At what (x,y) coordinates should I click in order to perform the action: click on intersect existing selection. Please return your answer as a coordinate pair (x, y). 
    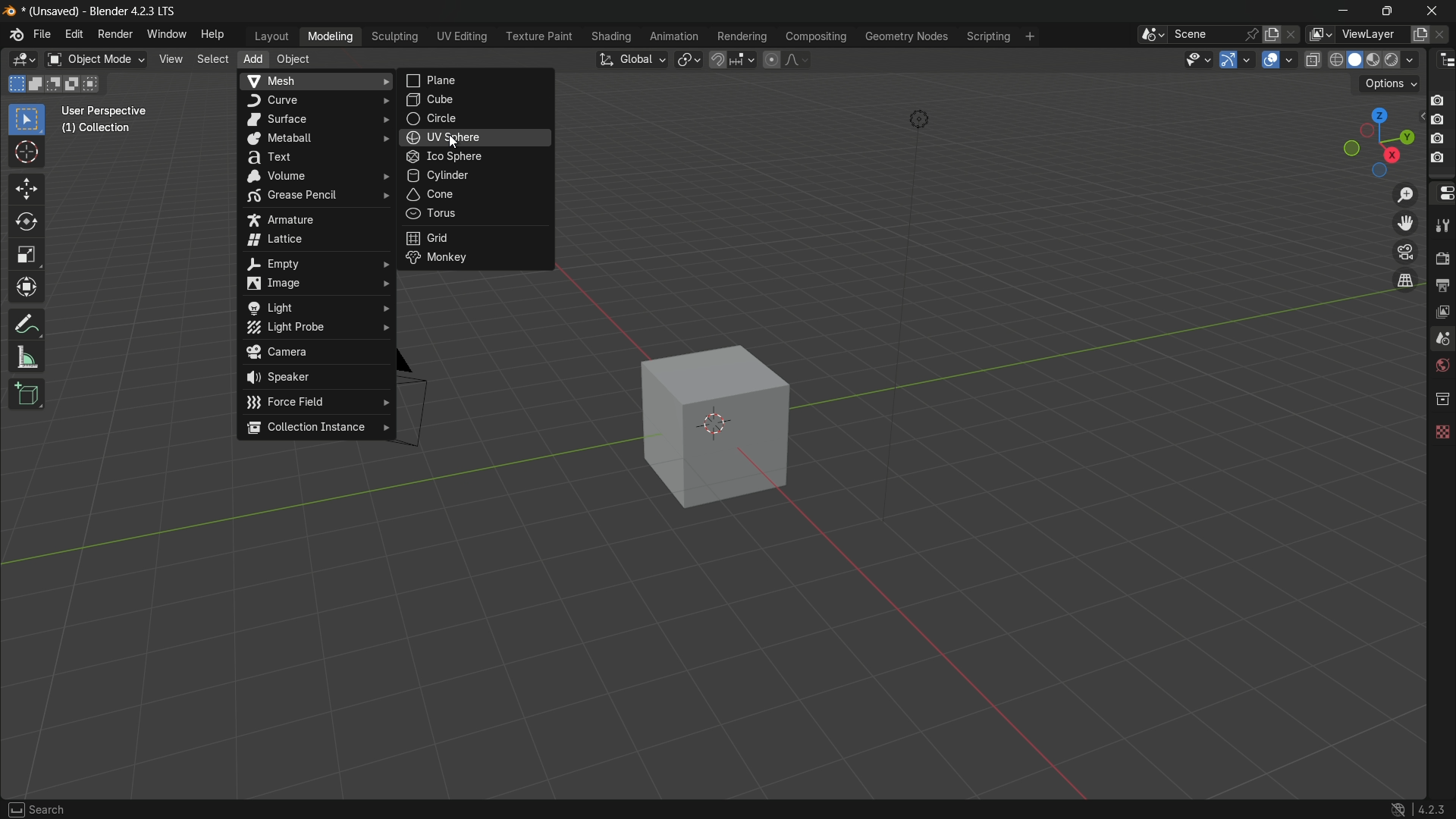
    Looking at the image, I should click on (96, 83).